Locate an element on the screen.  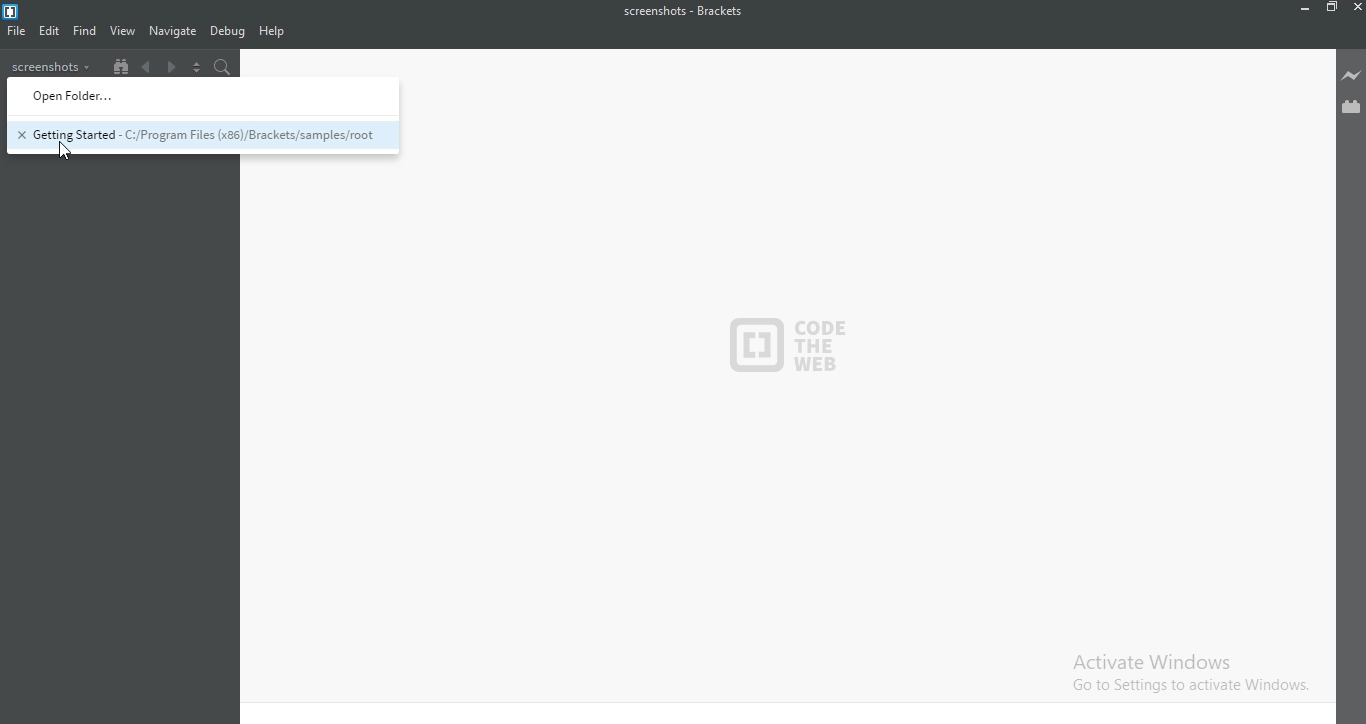
code the web is located at coordinates (787, 346).